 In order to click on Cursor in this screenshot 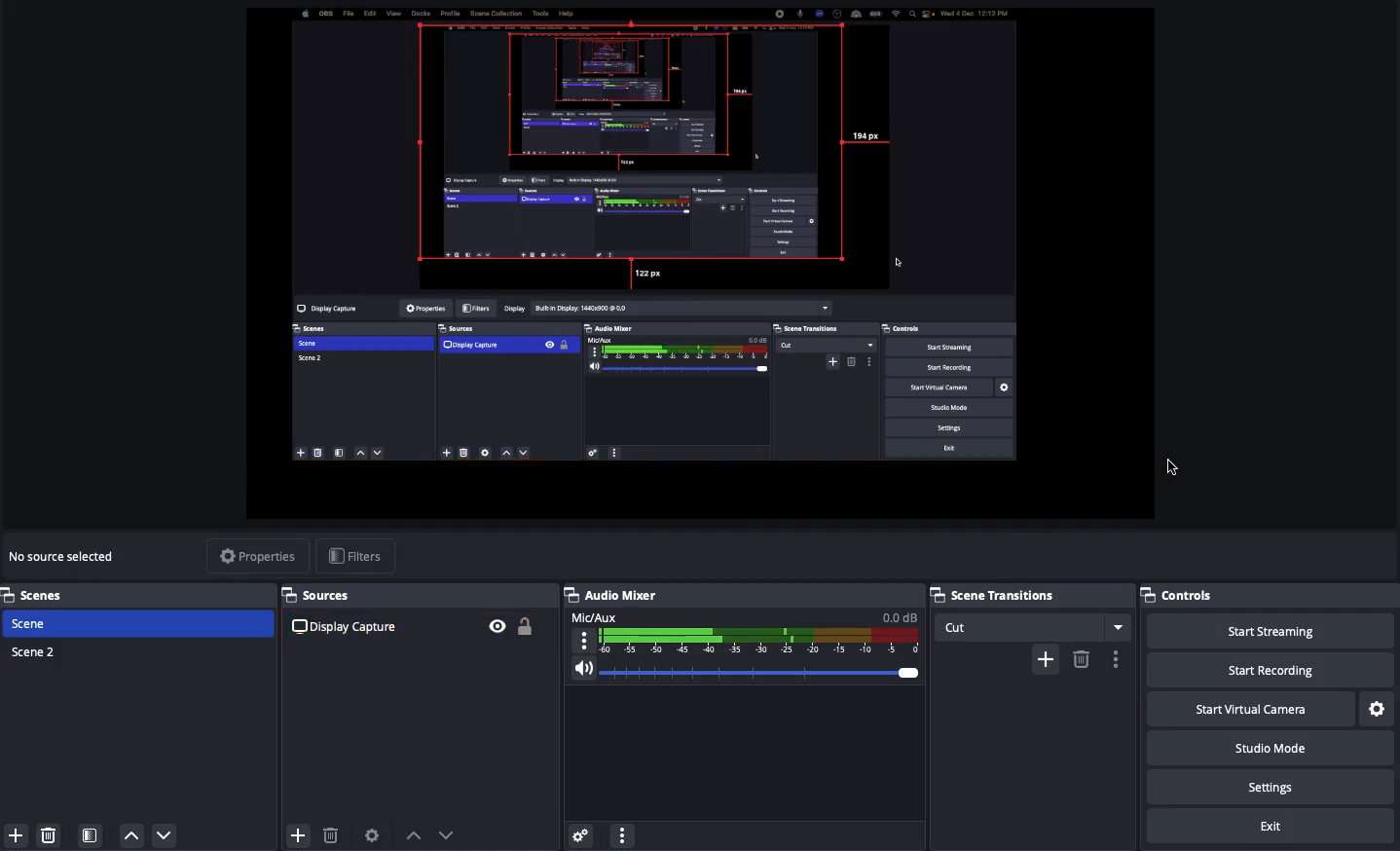, I will do `click(1169, 466)`.